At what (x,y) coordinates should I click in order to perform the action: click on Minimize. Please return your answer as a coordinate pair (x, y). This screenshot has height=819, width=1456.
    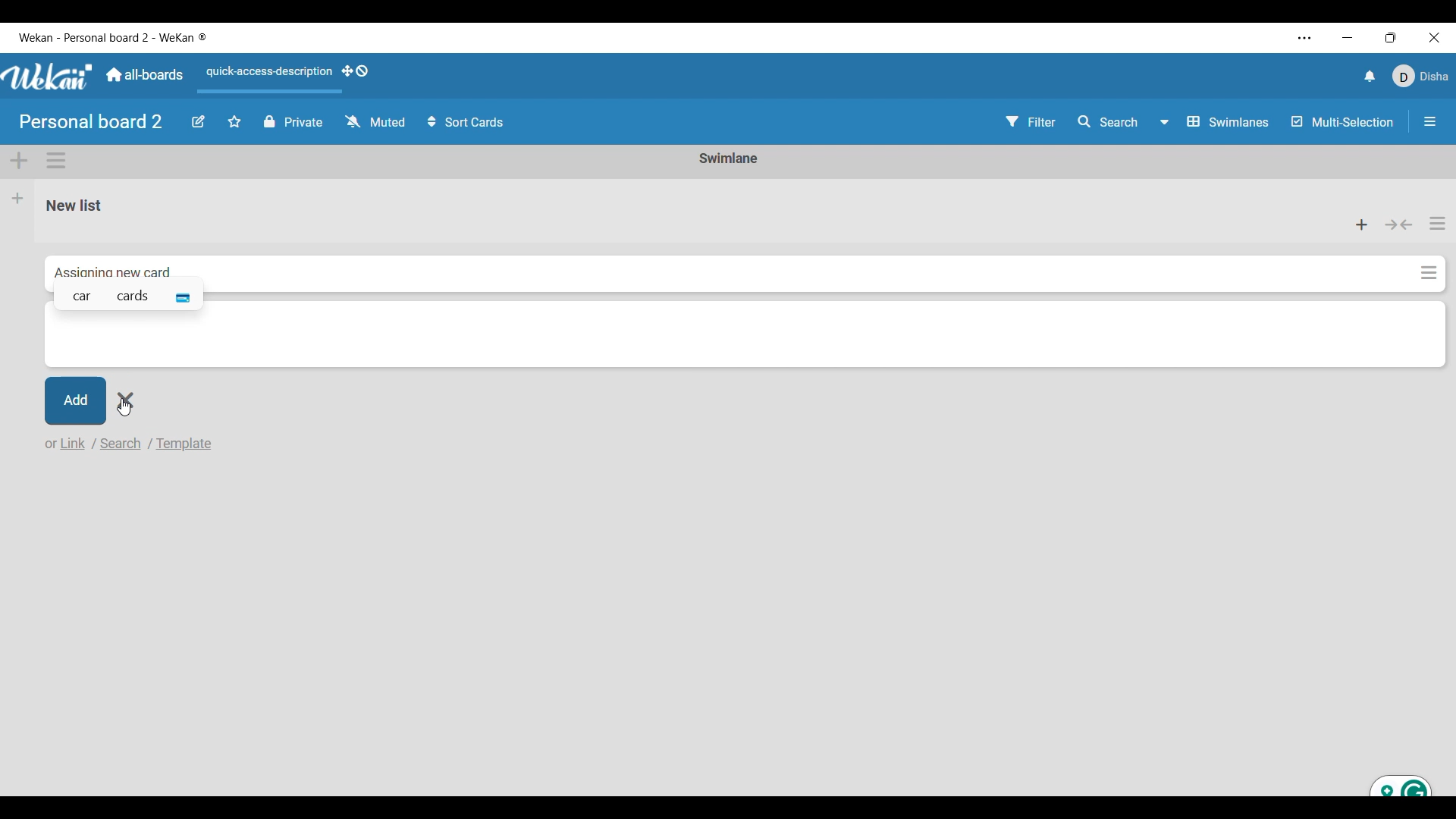
    Looking at the image, I should click on (1348, 38).